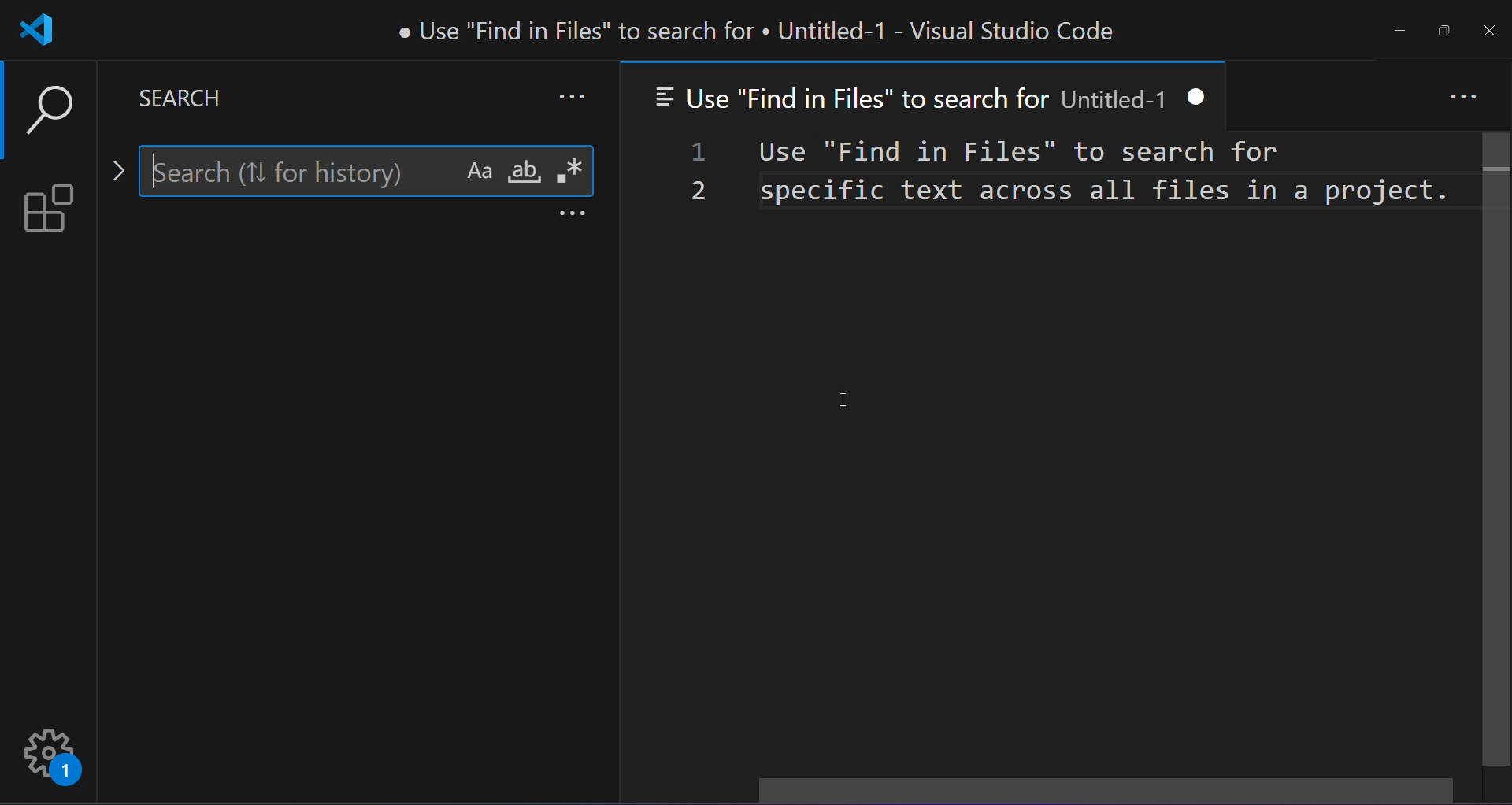  I want to click on setting, so click(48, 757).